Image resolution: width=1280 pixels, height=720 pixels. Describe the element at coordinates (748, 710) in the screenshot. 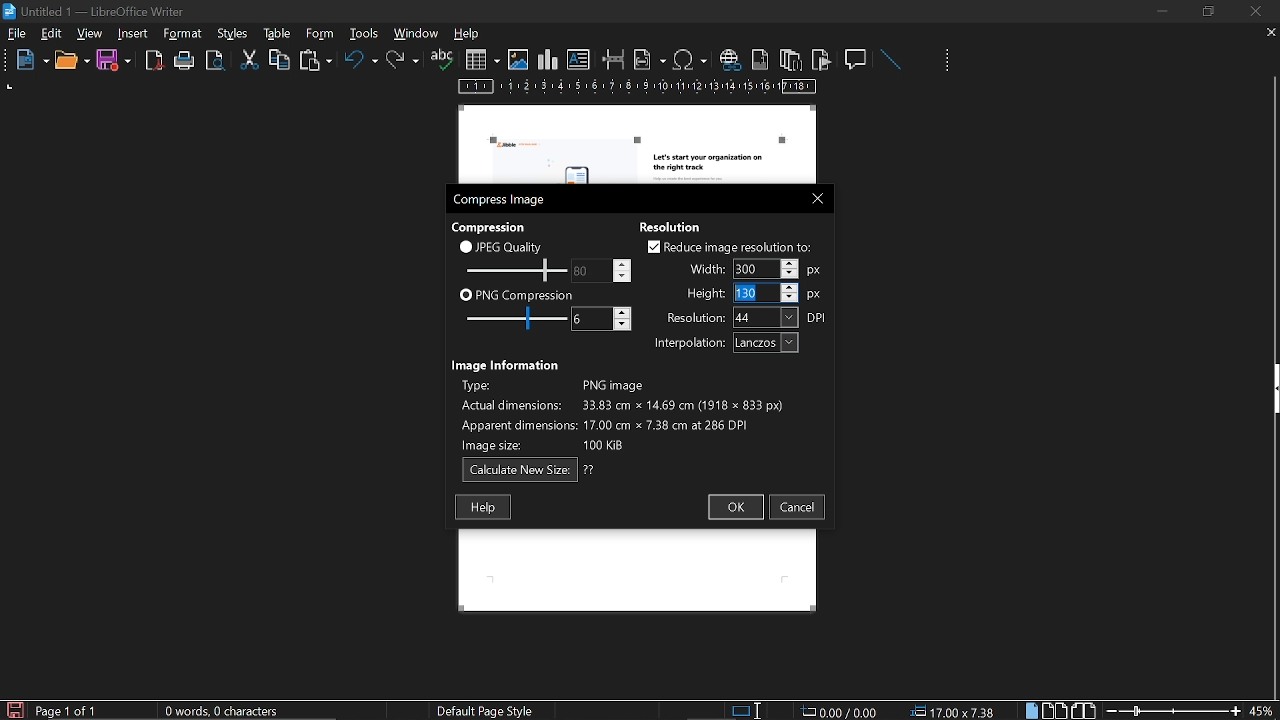

I see `standard selection` at that location.